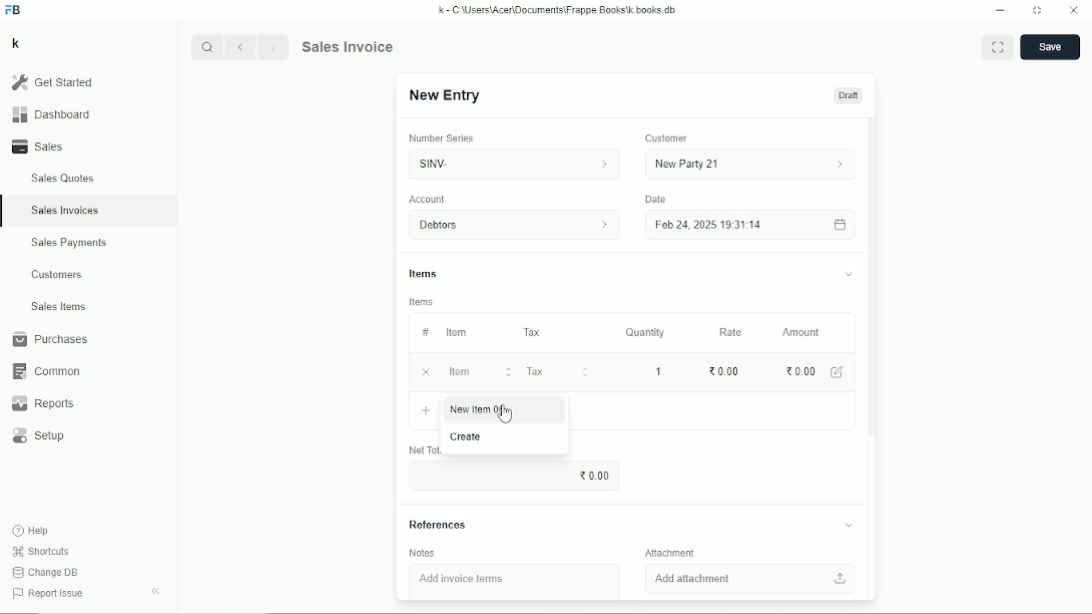 The height and width of the screenshot is (614, 1092). What do you see at coordinates (559, 9) in the screenshot?
I see `k - C\Users\Acer\Documents\Frappe Books\k books db` at bounding box center [559, 9].